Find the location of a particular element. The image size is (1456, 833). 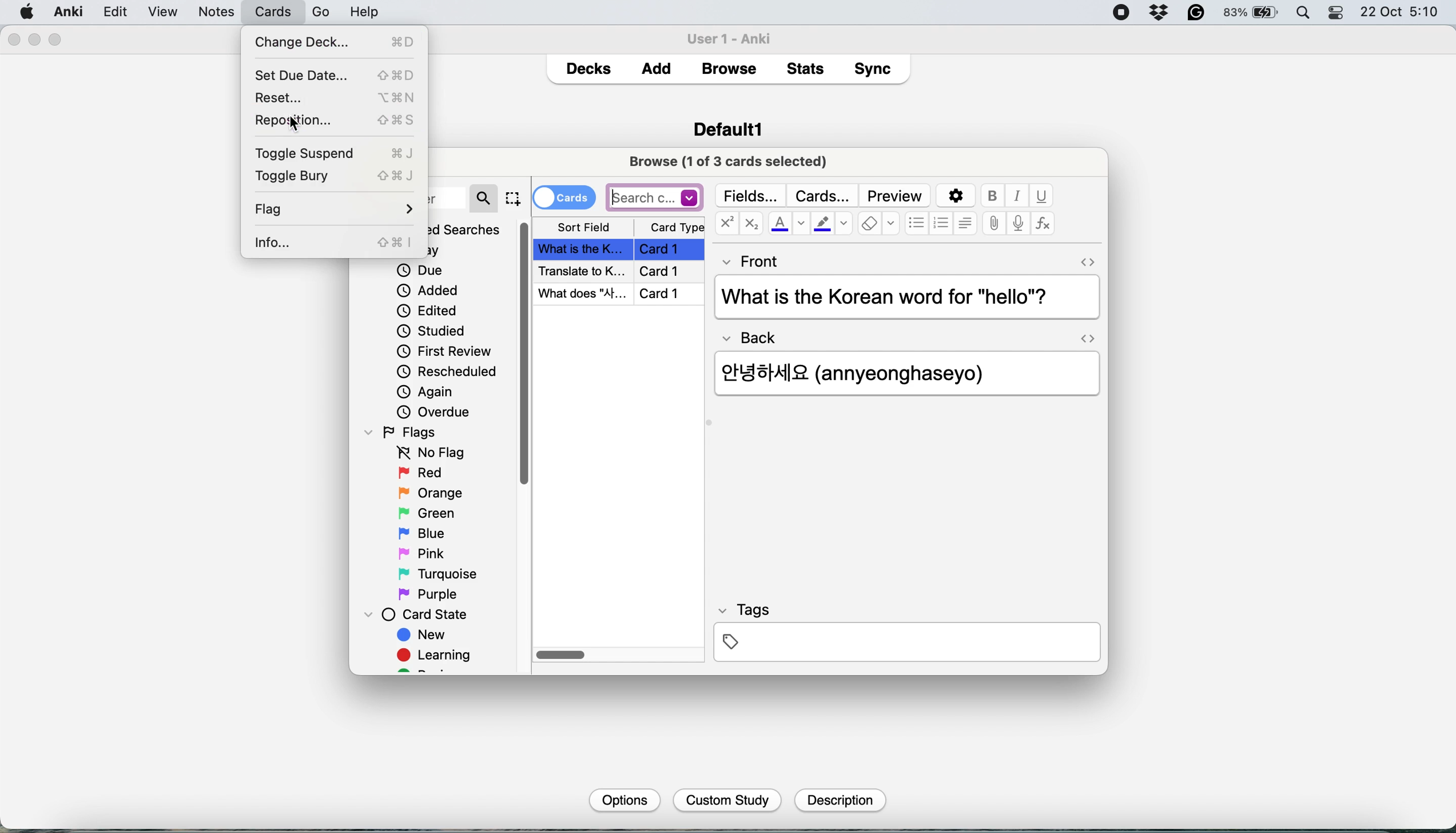

tags is located at coordinates (906, 631).